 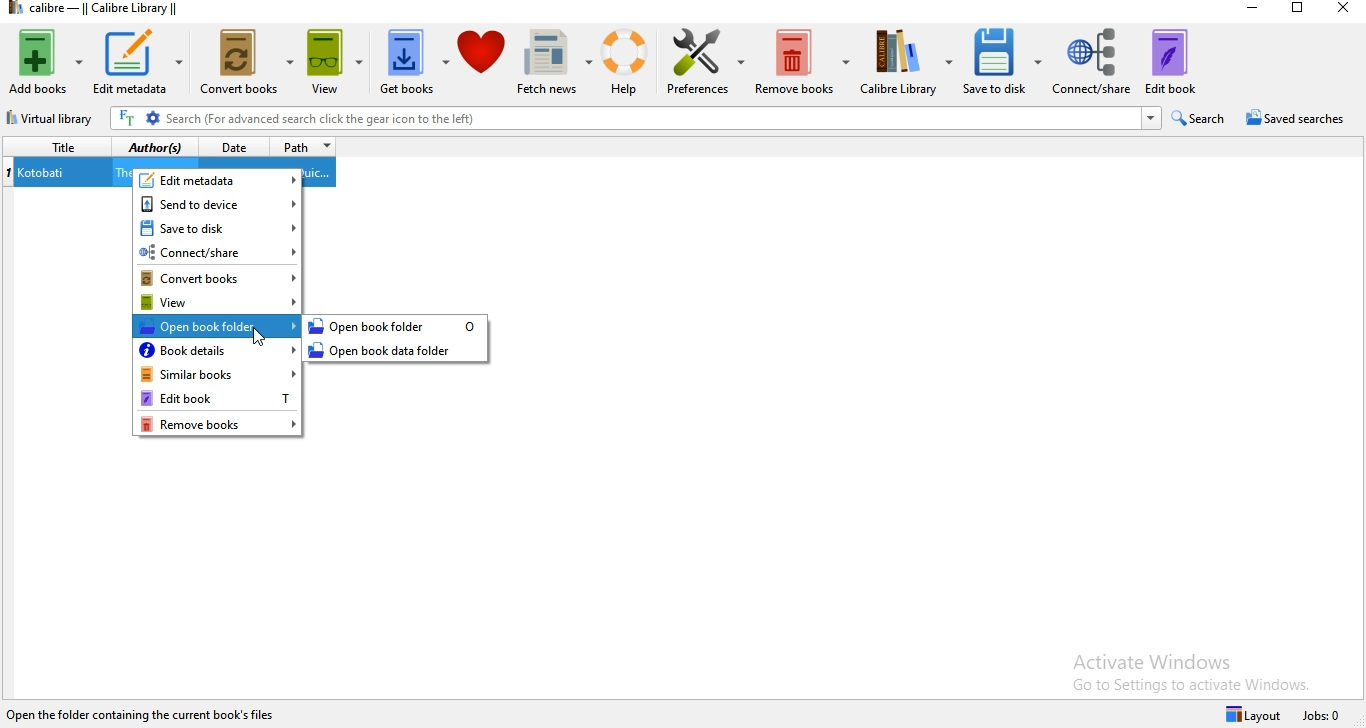 I want to click on kotobati, so click(x=47, y=174).